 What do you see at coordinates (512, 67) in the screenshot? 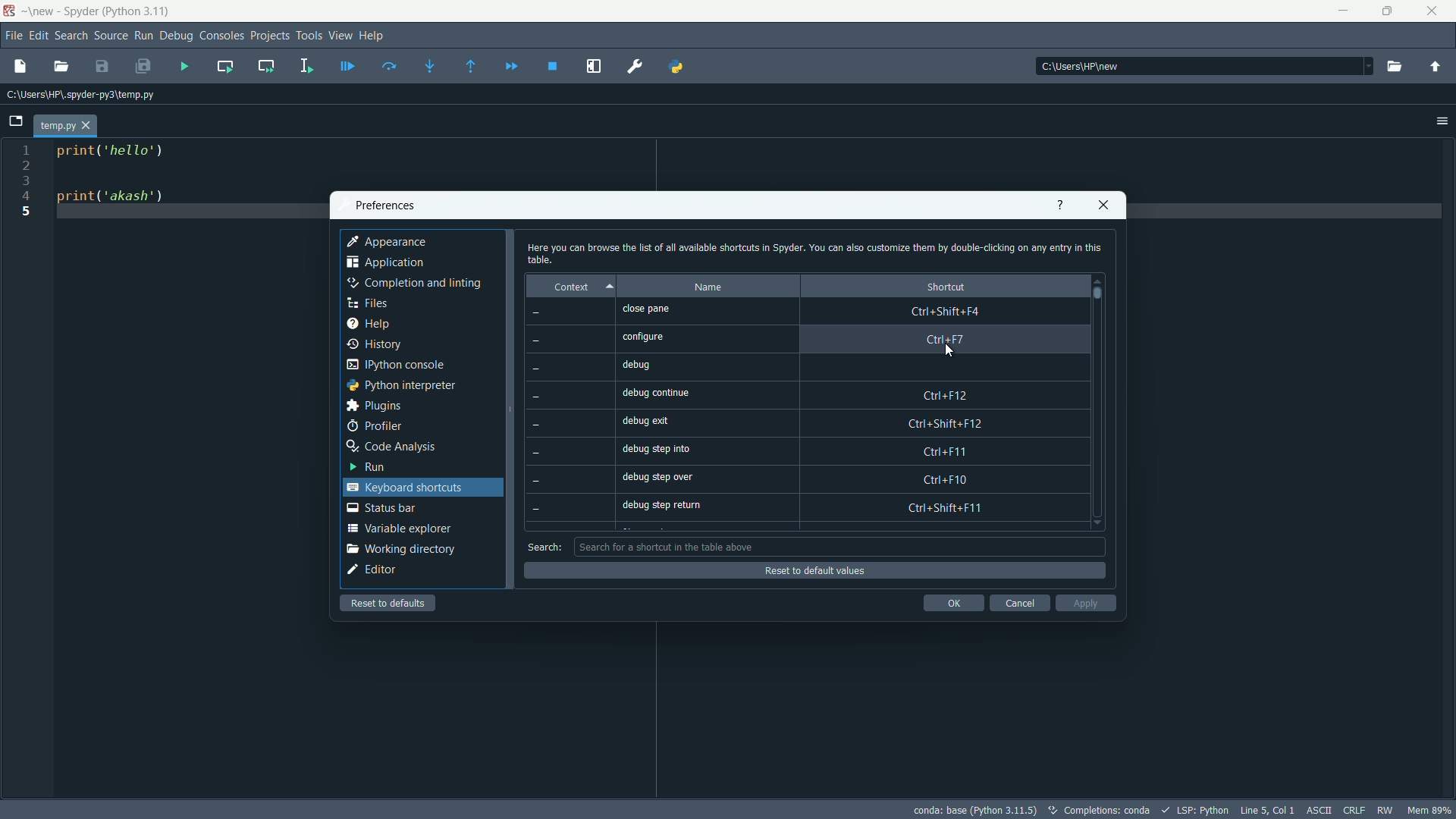
I see `continue execution until next breakdown` at bounding box center [512, 67].